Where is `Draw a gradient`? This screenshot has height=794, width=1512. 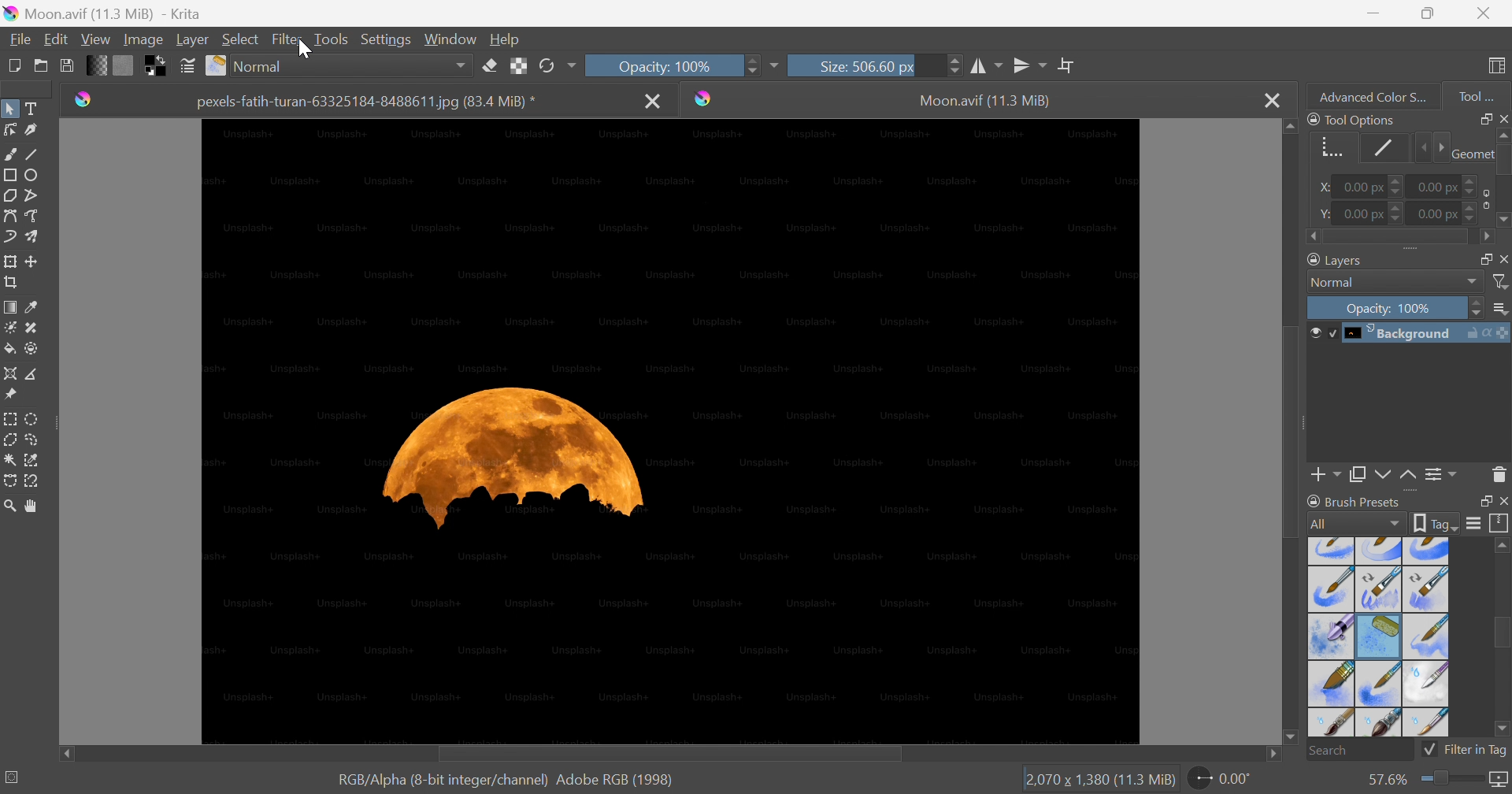 Draw a gradient is located at coordinates (9, 305).